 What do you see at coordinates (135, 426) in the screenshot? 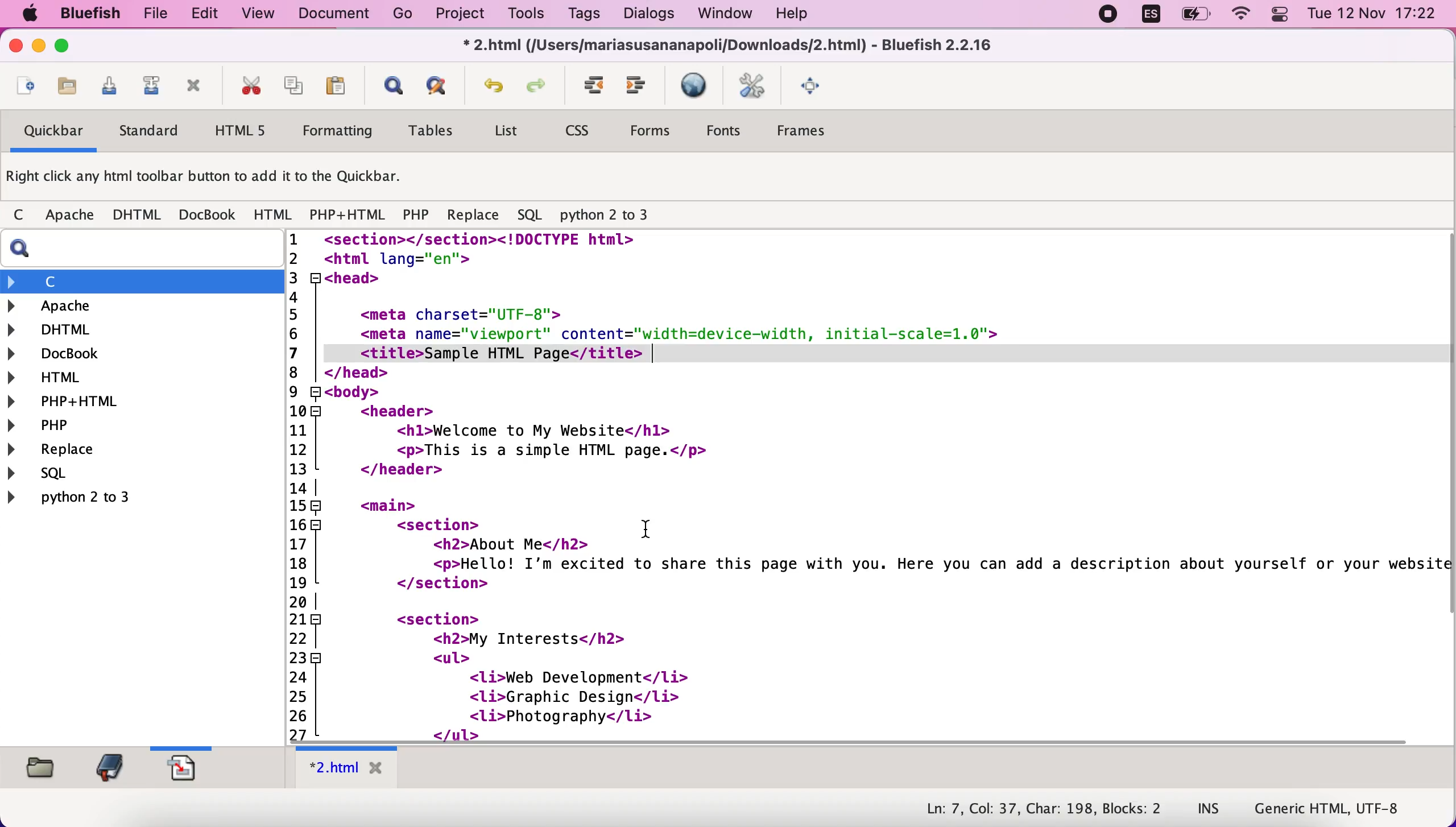
I see `php` at bounding box center [135, 426].